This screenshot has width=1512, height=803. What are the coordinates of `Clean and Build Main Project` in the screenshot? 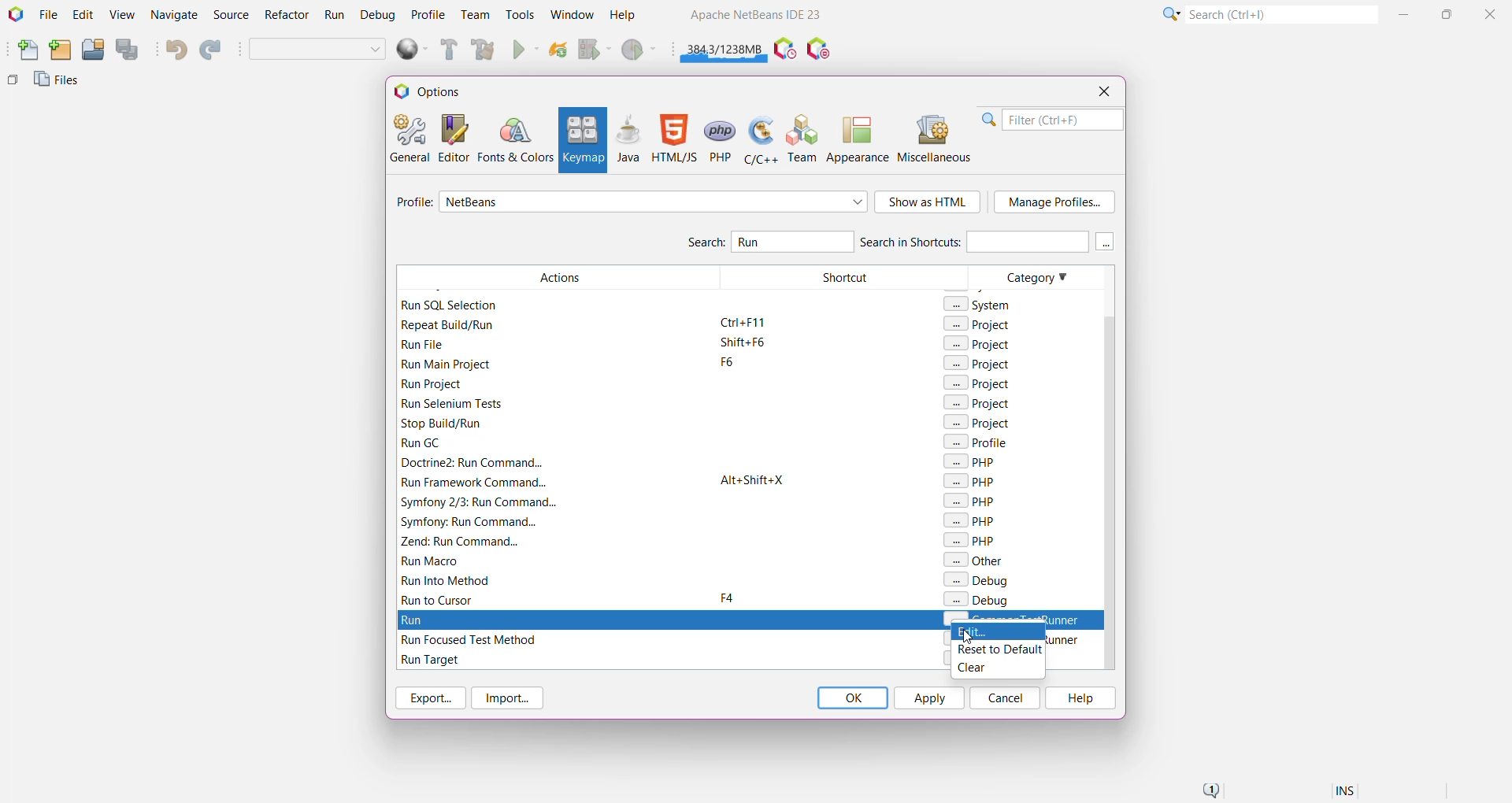 It's located at (486, 51).